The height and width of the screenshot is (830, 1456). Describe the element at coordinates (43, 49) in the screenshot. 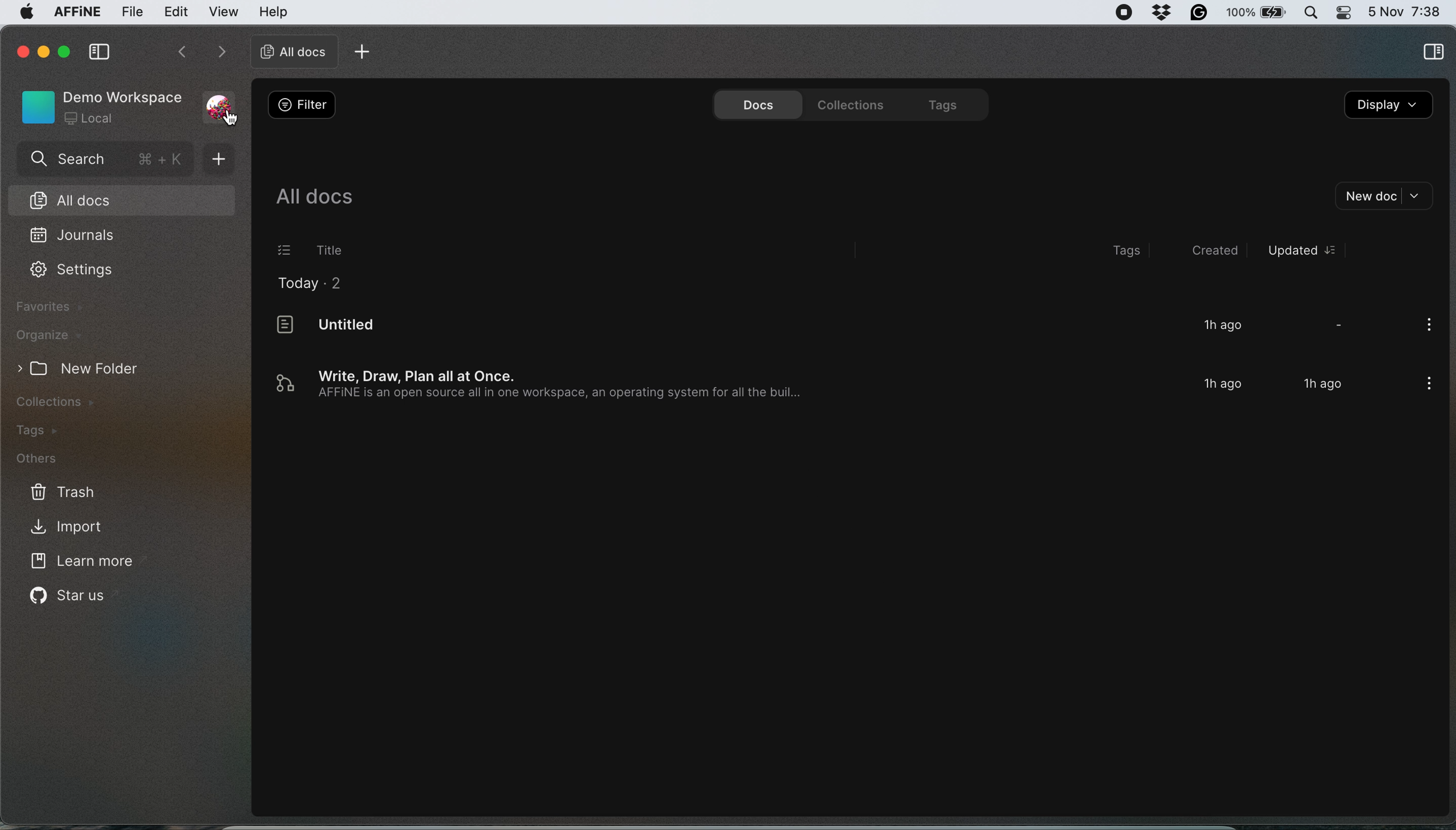

I see `minimise` at that location.